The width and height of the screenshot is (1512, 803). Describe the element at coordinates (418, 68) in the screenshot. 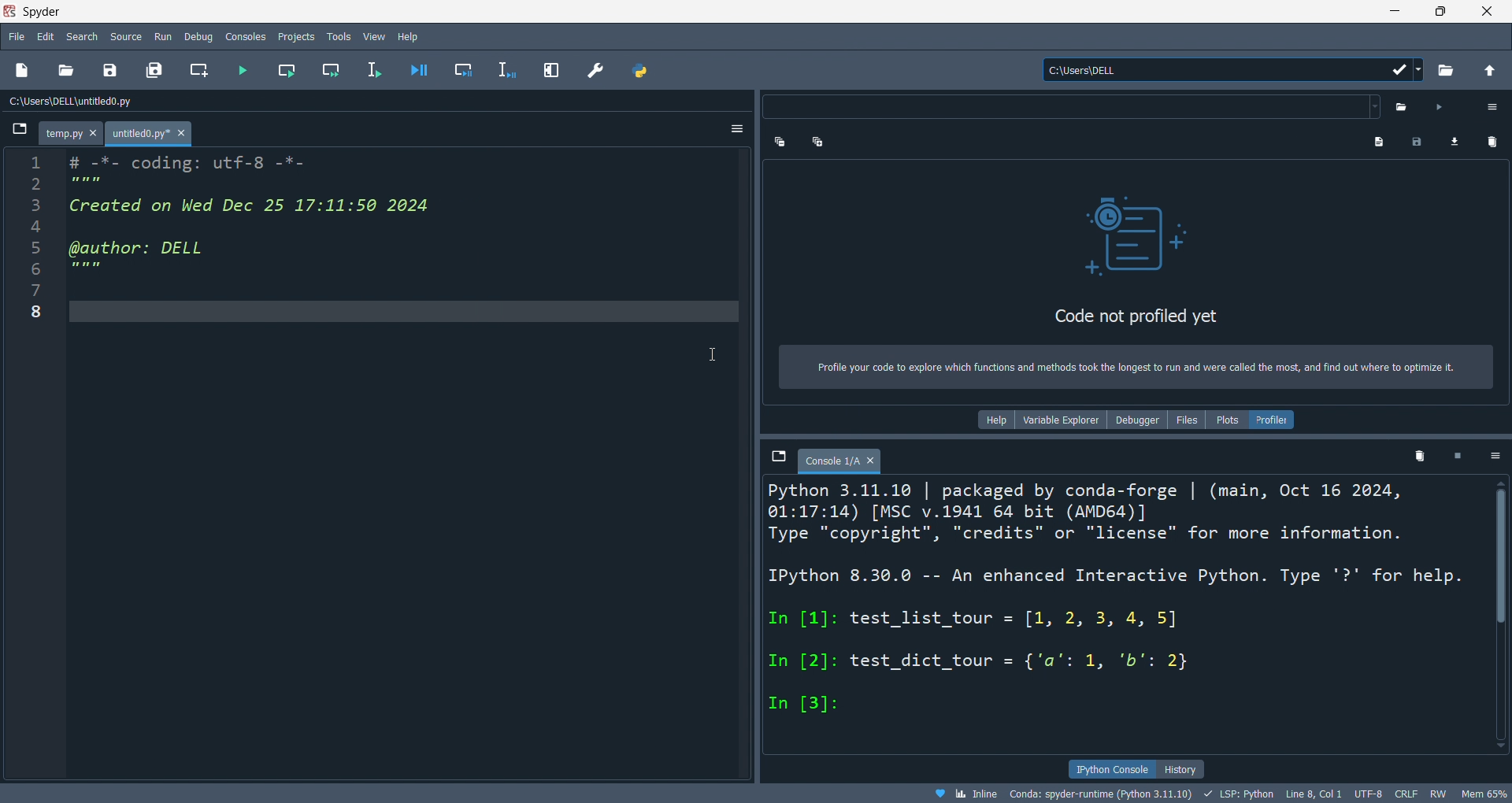

I see `debug file` at that location.